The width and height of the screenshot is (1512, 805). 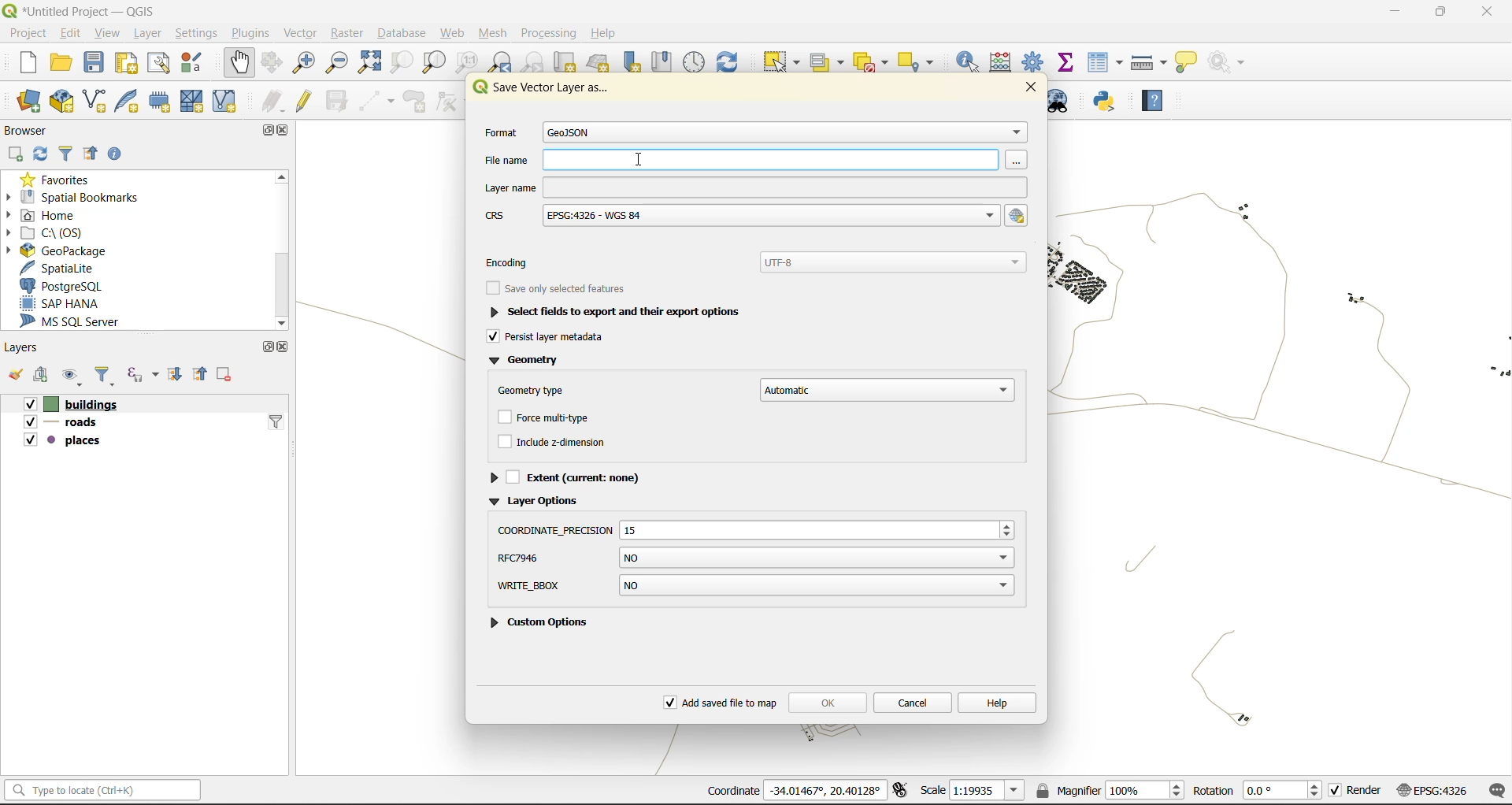 What do you see at coordinates (731, 61) in the screenshot?
I see `refresh` at bounding box center [731, 61].